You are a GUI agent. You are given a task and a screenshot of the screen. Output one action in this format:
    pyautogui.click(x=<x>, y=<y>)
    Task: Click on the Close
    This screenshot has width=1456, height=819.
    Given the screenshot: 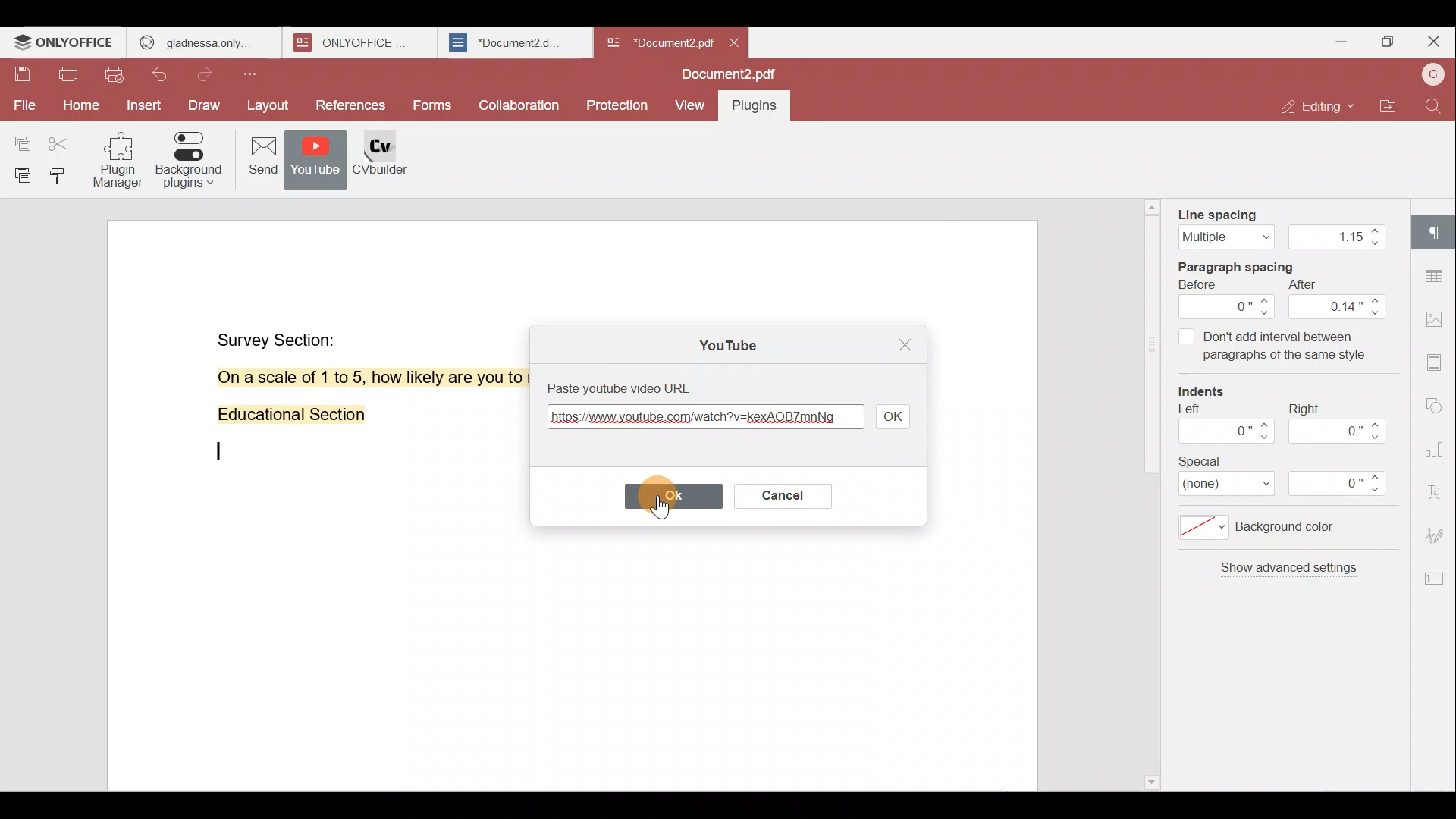 What is the action you would take?
    pyautogui.click(x=1433, y=42)
    